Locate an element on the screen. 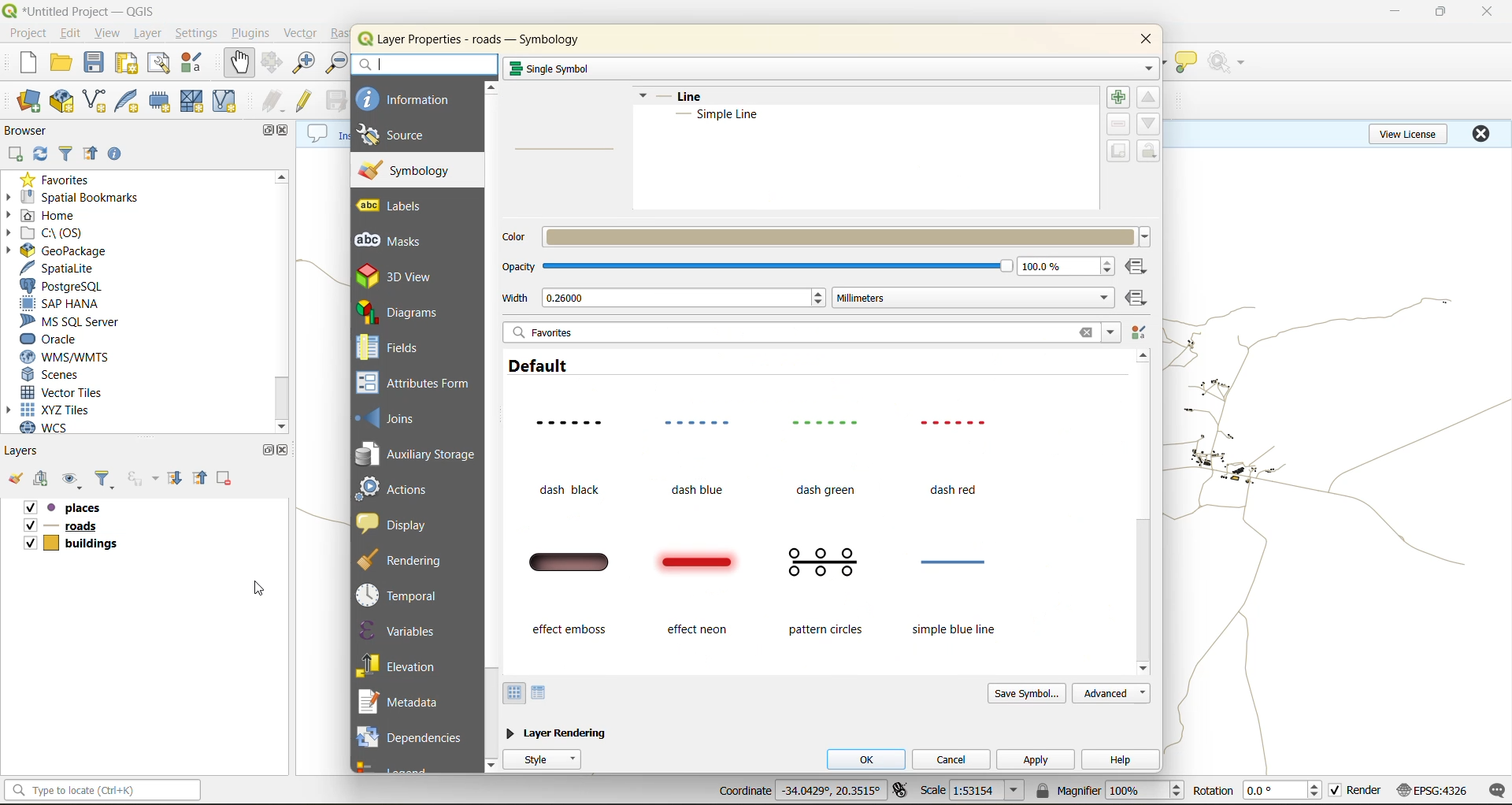  rendering is located at coordinates (401, 557).